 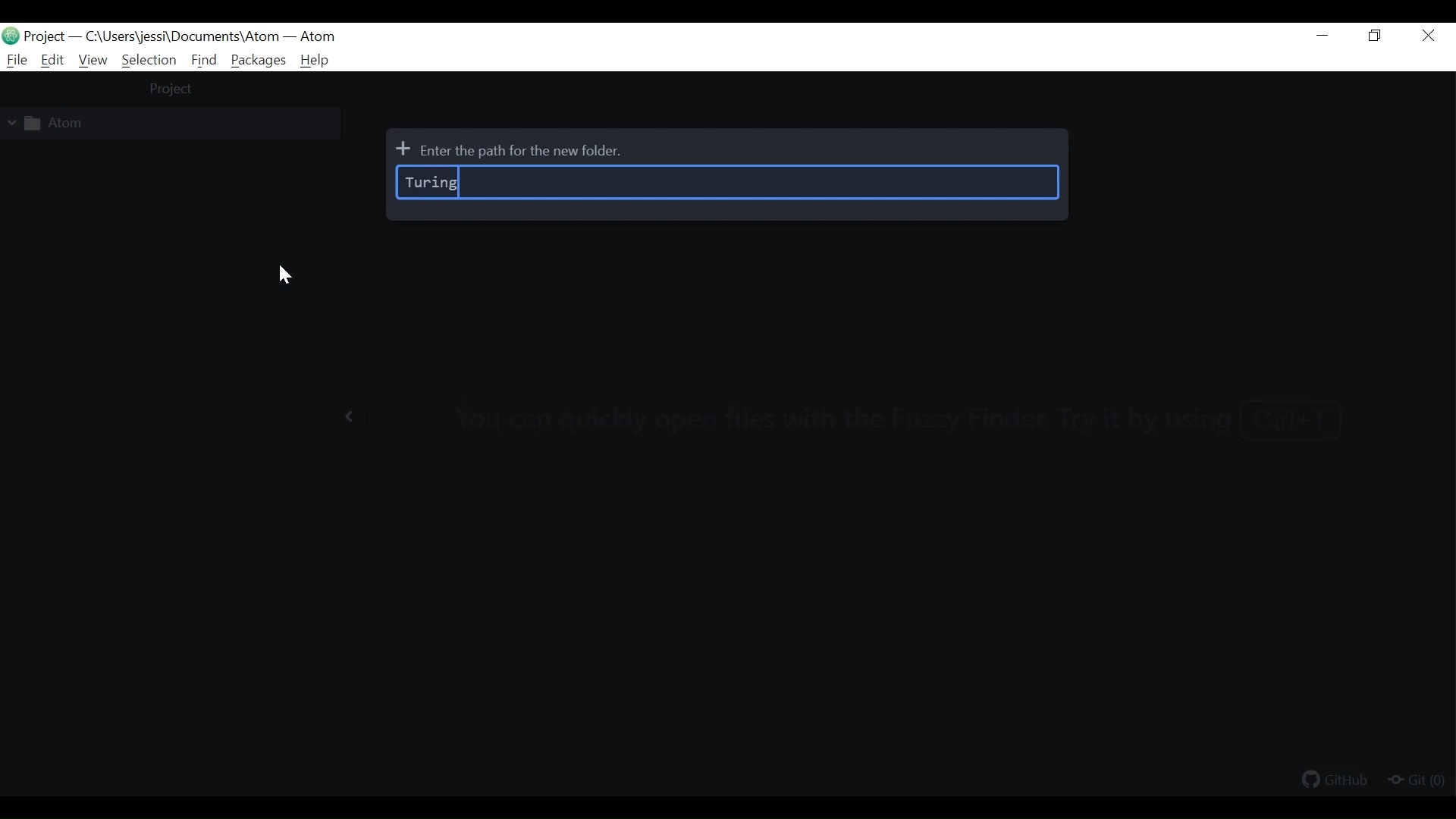 What do you see at coordinates (92, 61) in the screenshot?
I see `View` at bounding box center [92, 61].